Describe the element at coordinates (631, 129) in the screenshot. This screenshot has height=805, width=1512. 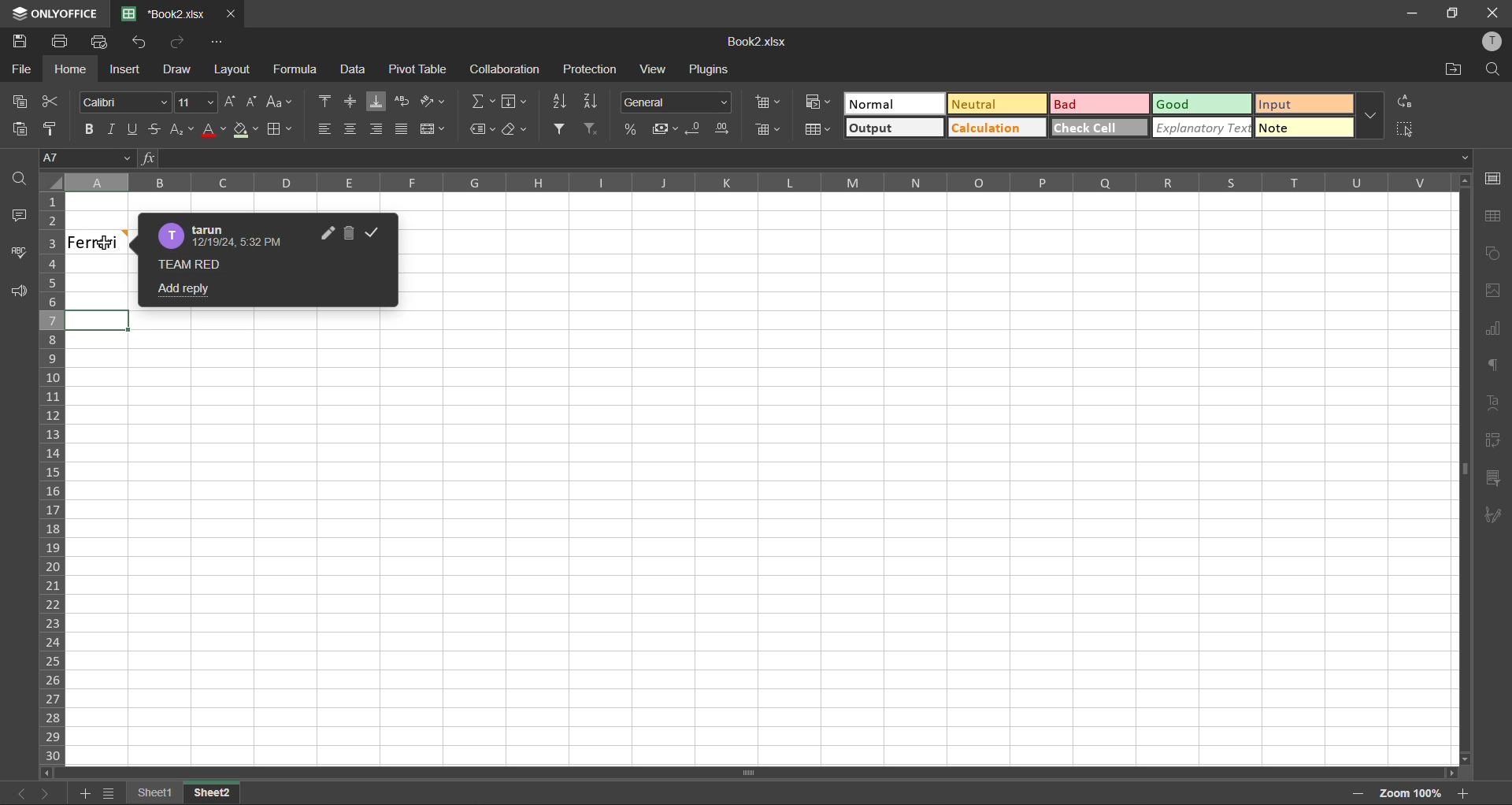
I see `percent` at that location.